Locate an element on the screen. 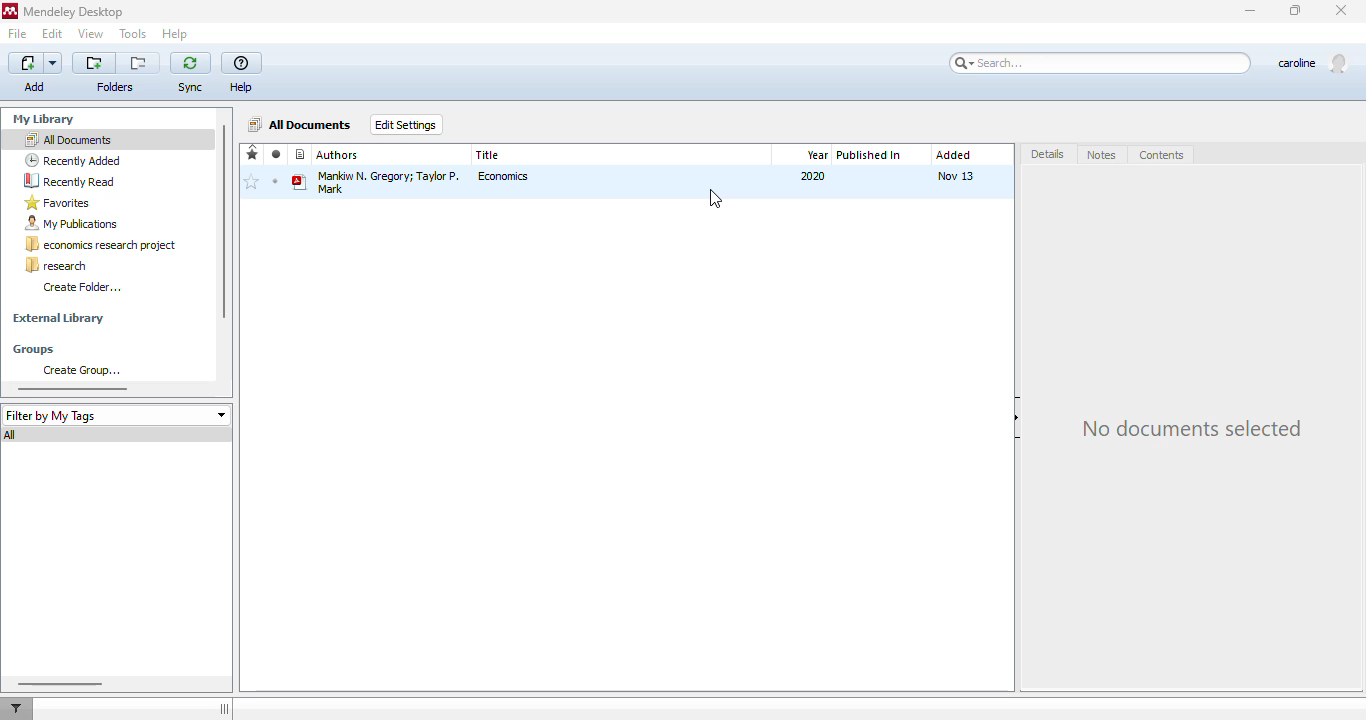 This screenshot has width=1366, height=720. economics is located at coordinates (505, 176).